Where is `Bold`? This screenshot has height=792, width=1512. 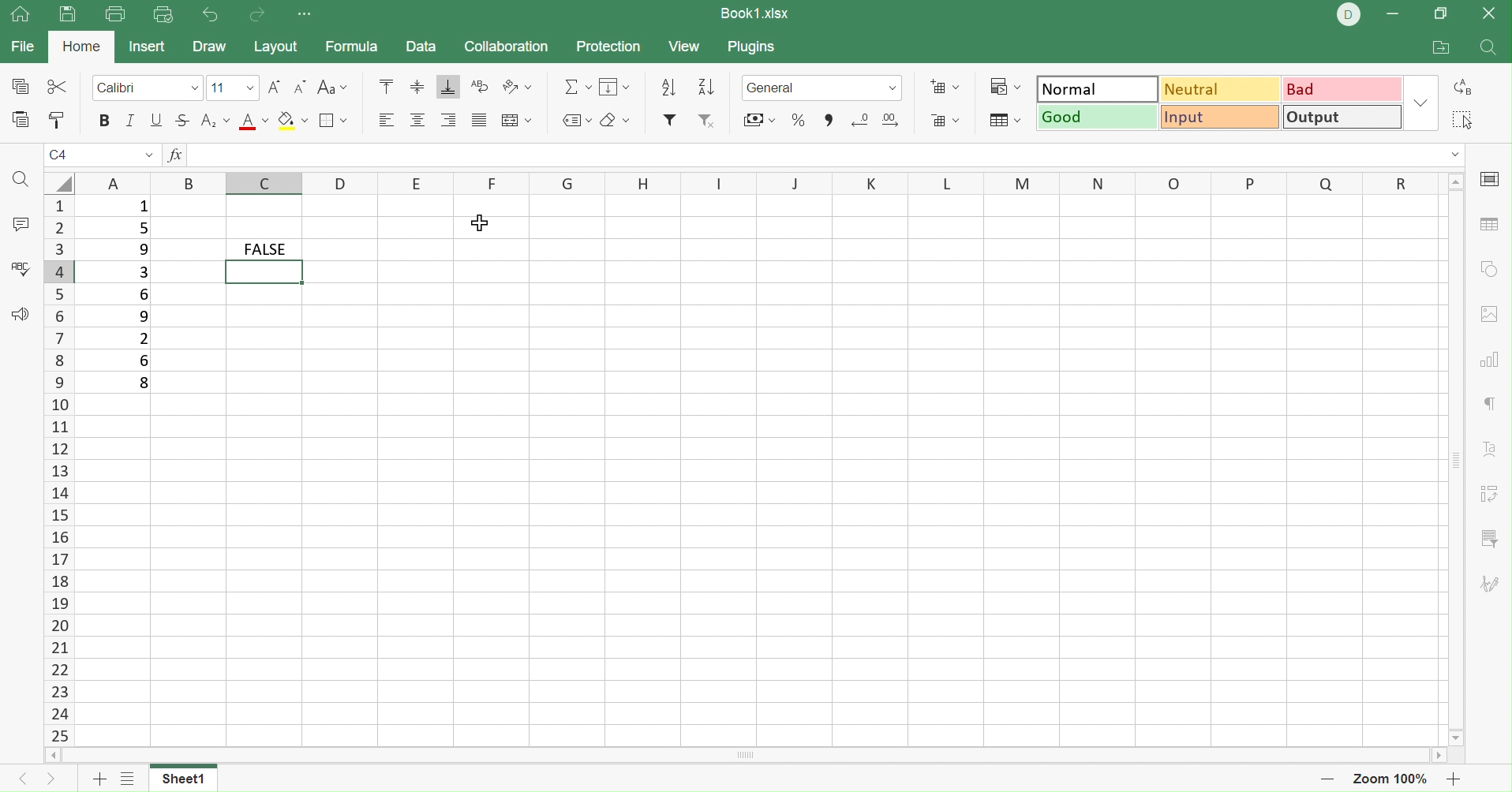
Bold is located at coordinates (102, 120).